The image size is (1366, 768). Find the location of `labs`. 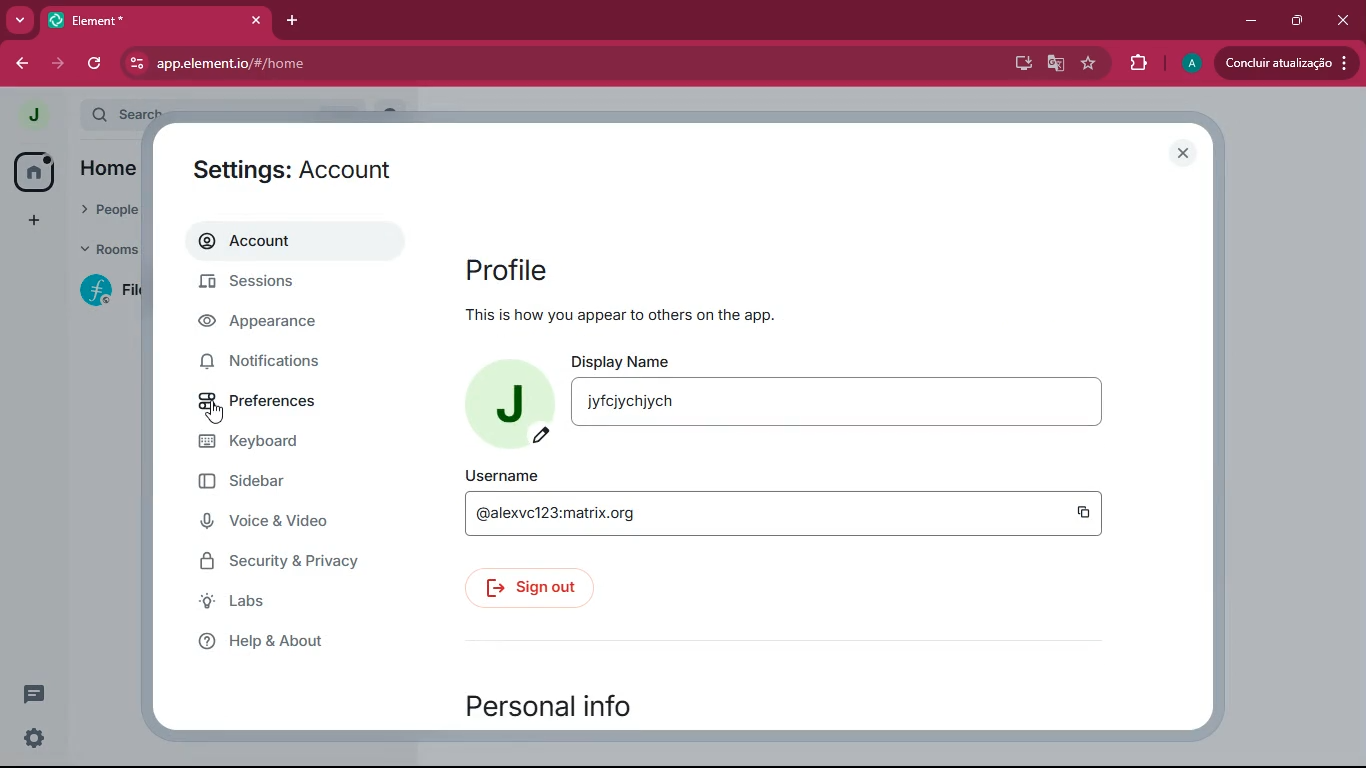

labs is located at coordinates (272, 606).